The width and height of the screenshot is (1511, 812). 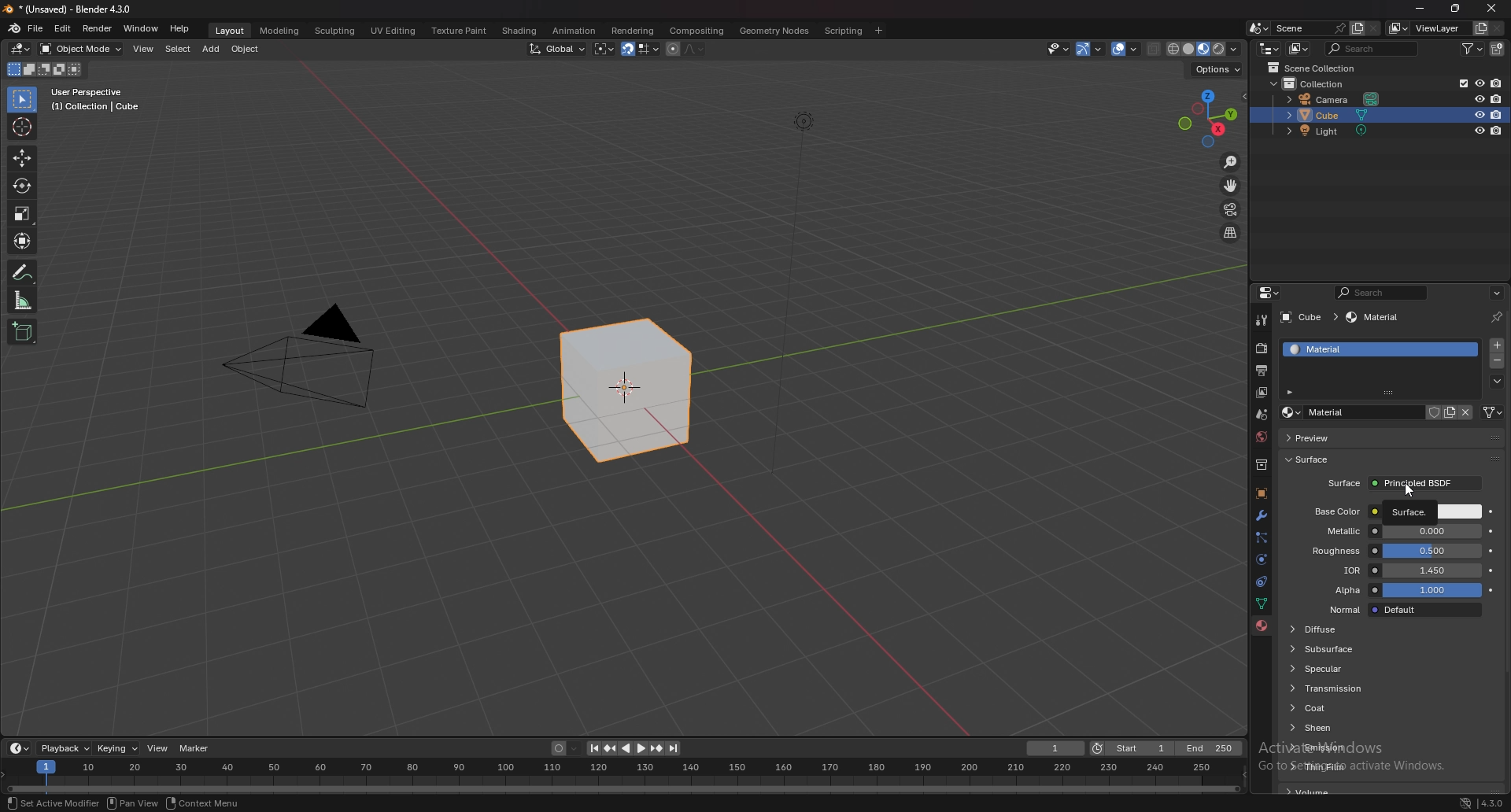 What do you see at coordinates (1260, 494) in the screenshot?
I see `object` at bounding box center [1260, 494].